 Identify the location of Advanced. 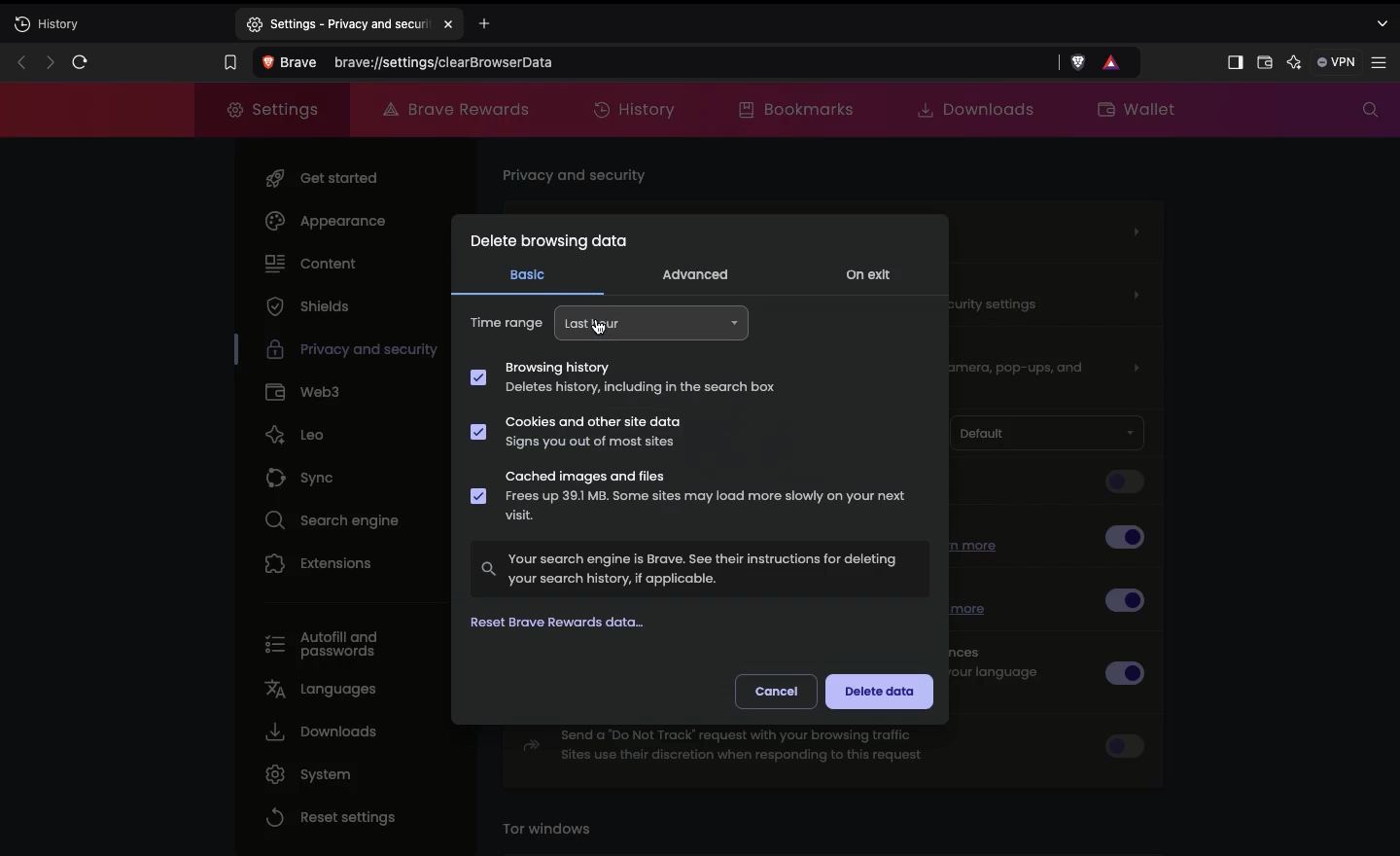
(695, 273).